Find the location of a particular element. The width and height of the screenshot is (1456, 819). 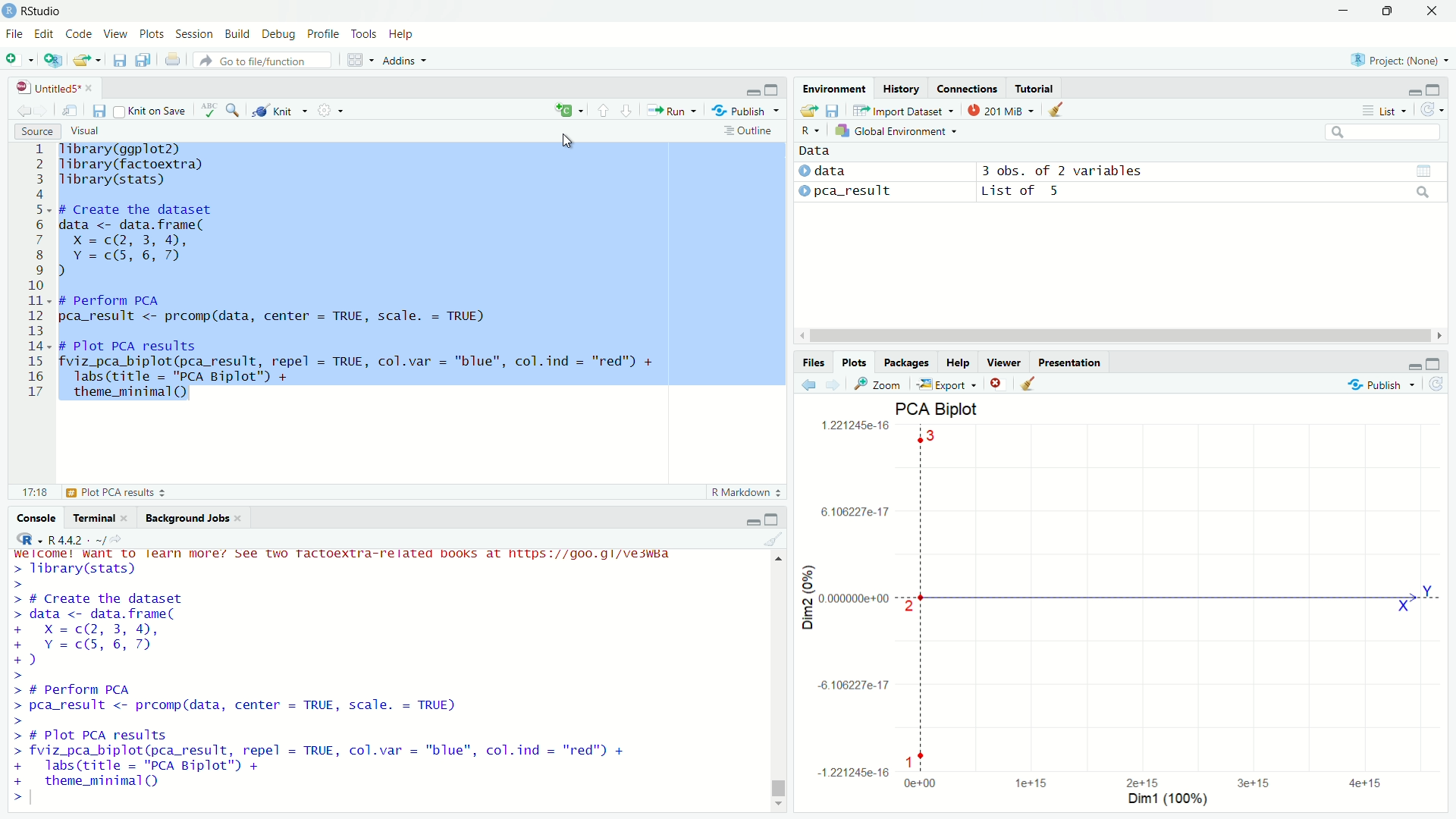

New file is located at coordinates (18, 58).